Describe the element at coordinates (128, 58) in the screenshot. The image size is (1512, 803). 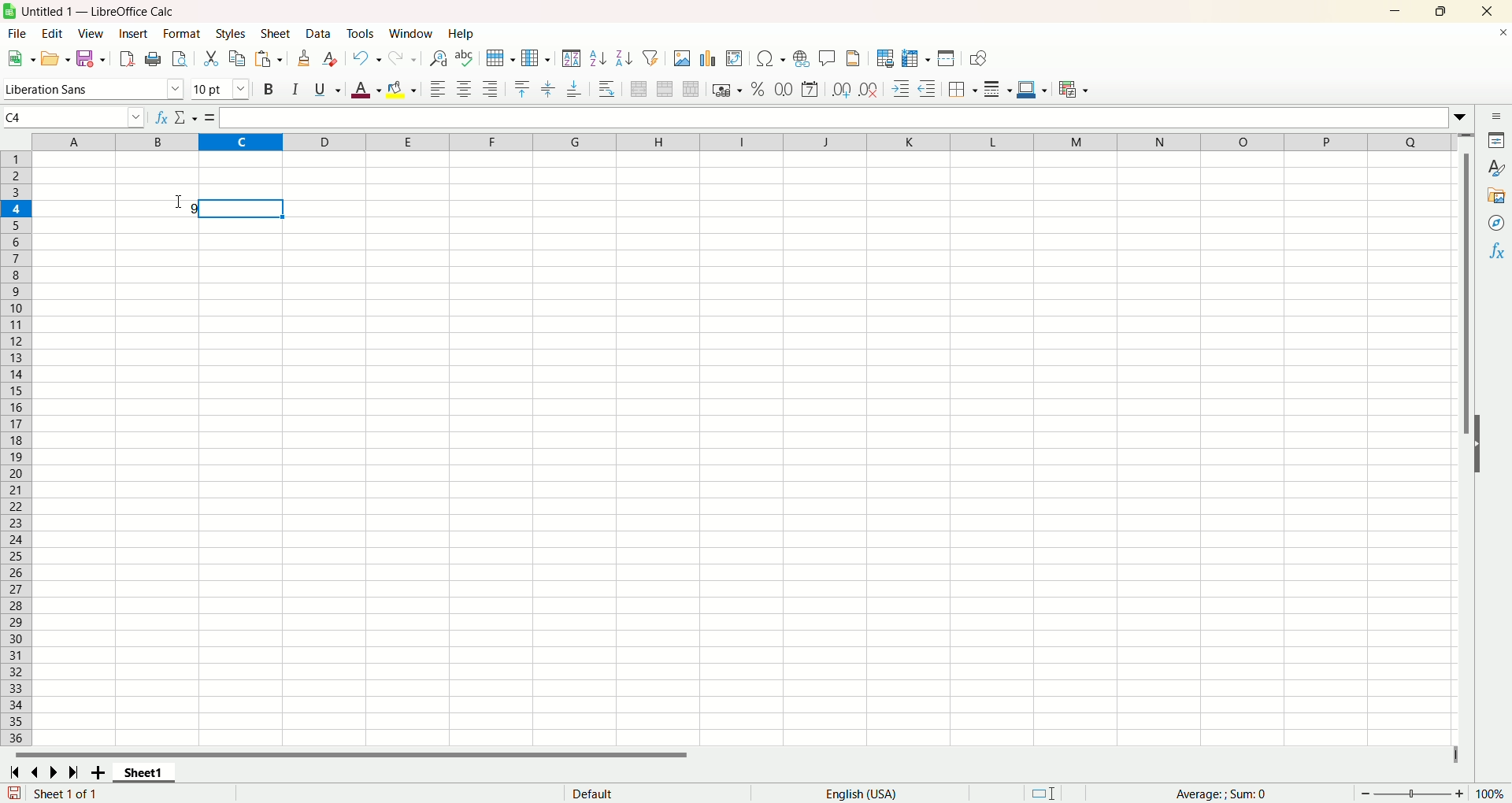
I see `export as PDF` at that location.